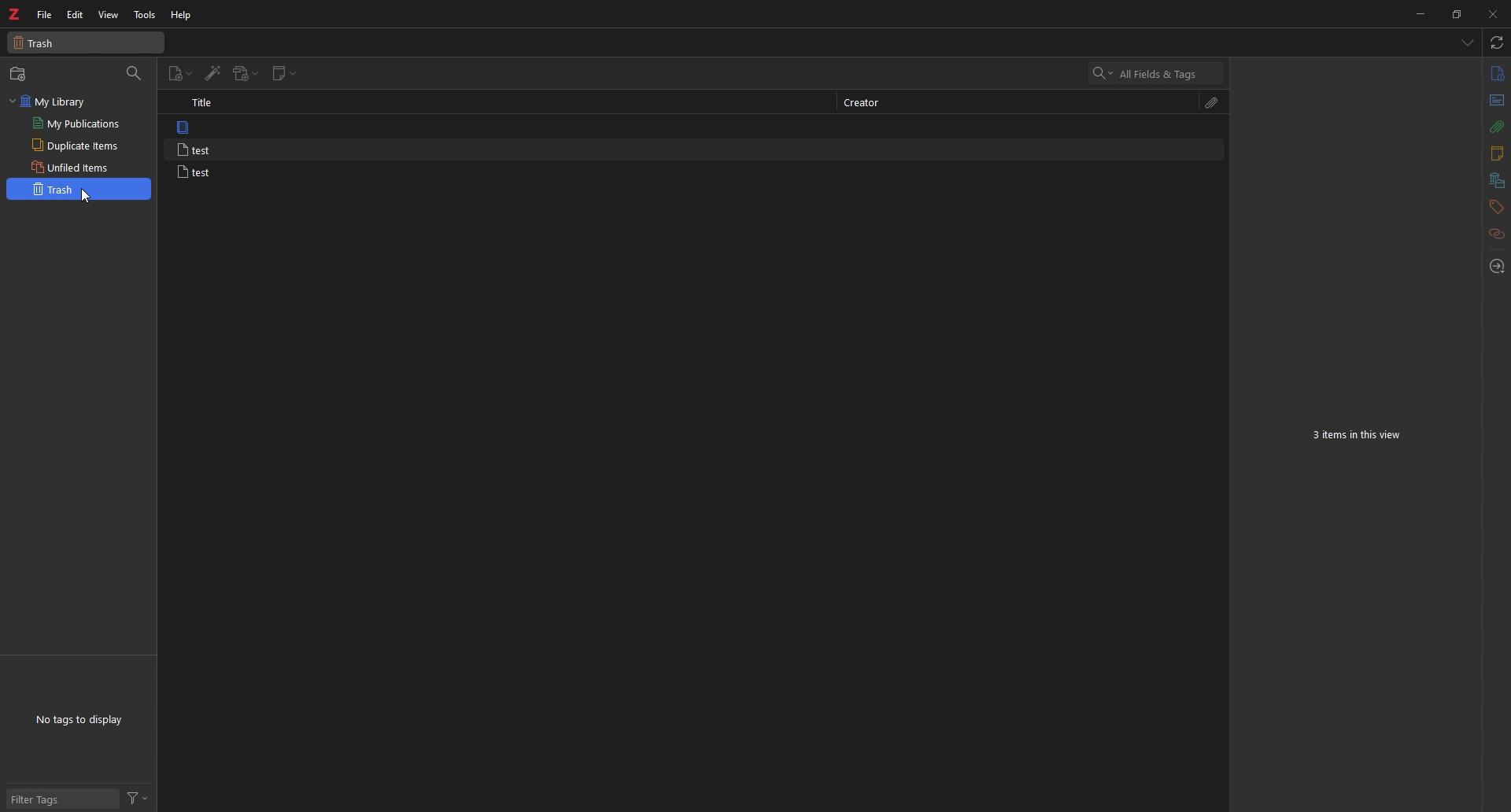  I want to click on minimize, so click(1420, 14).